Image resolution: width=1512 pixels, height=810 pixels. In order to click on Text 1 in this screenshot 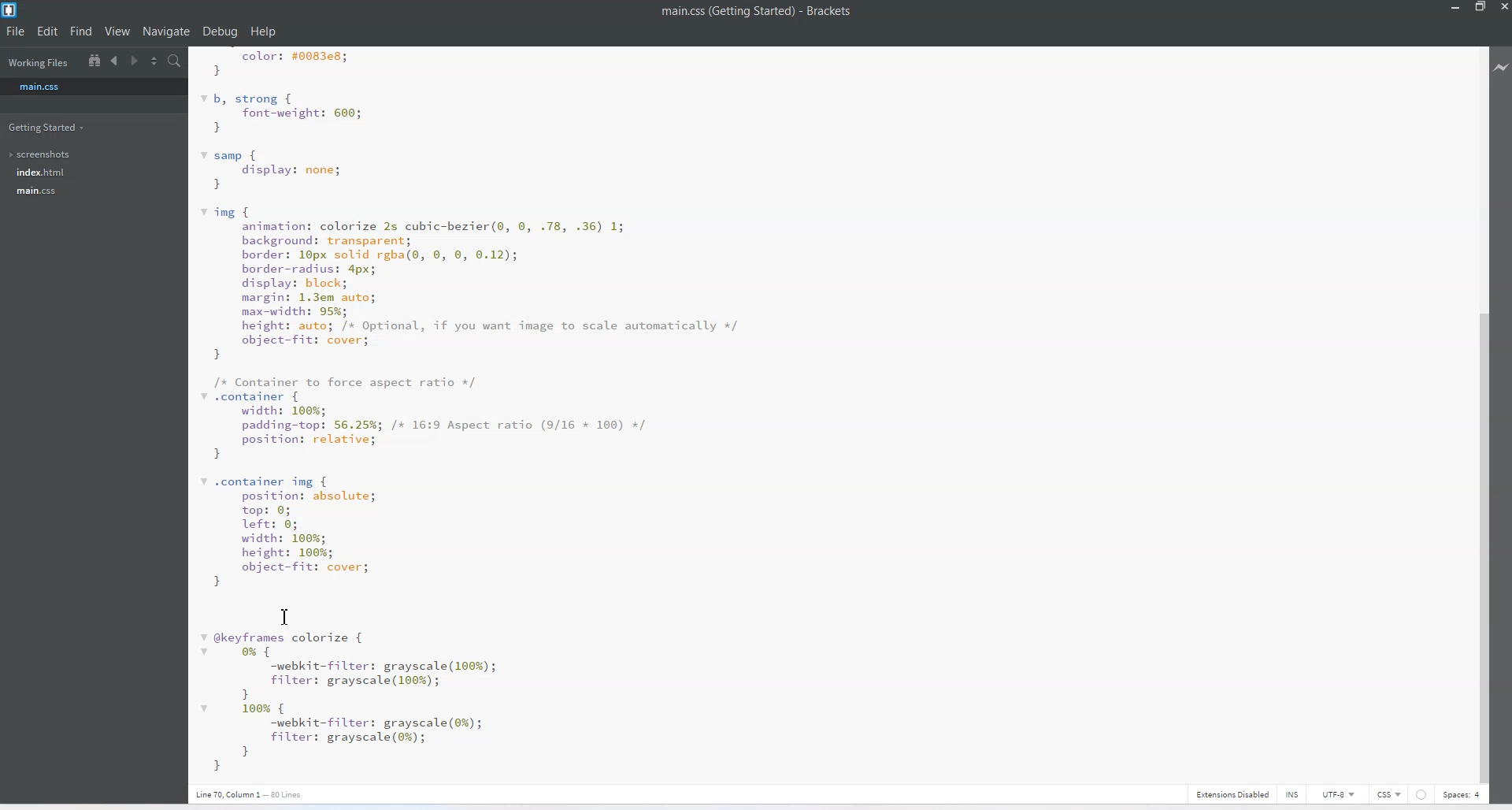, I will do `click(487, 414)`.